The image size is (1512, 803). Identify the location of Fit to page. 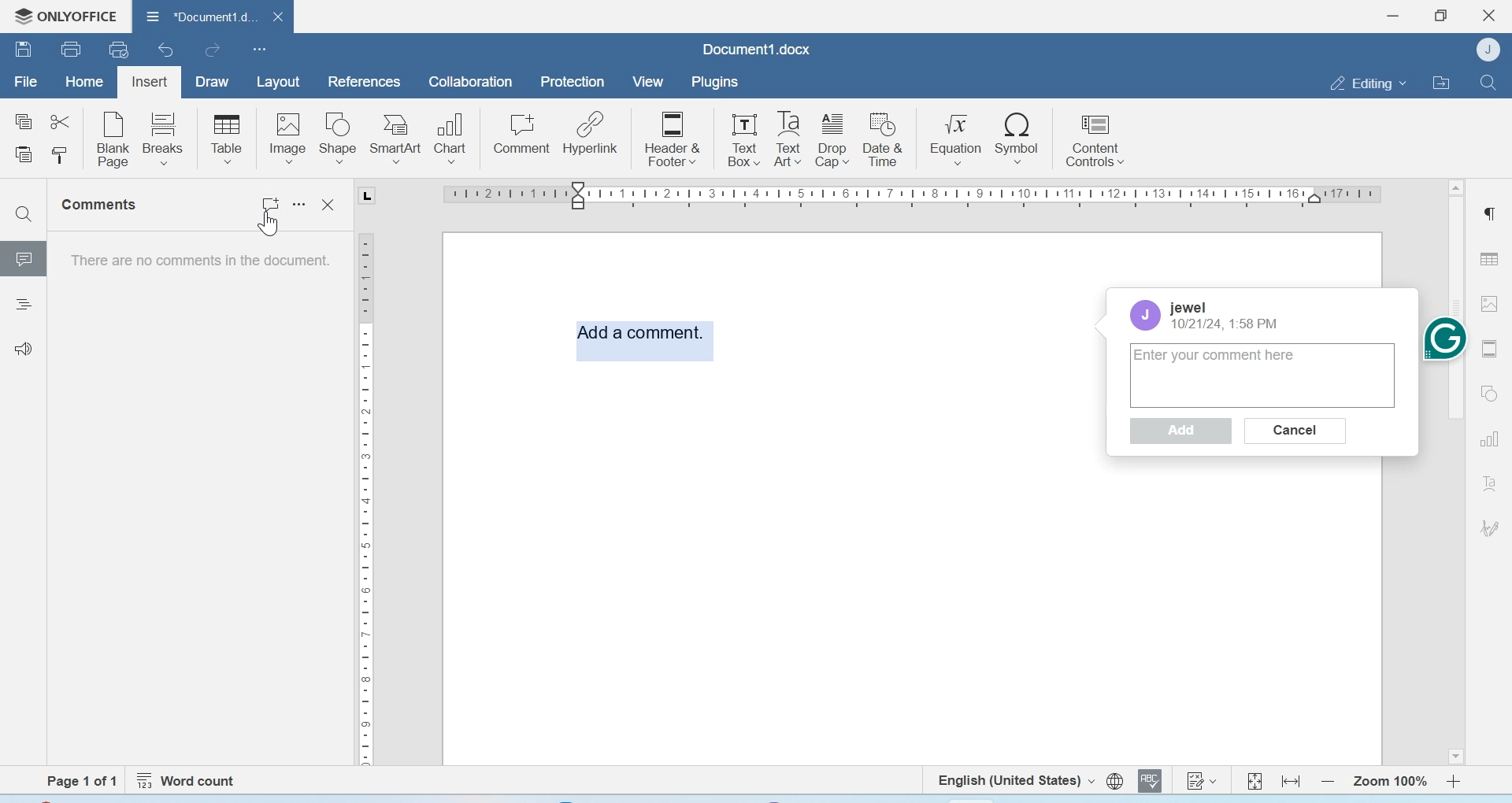
(1255, 780).